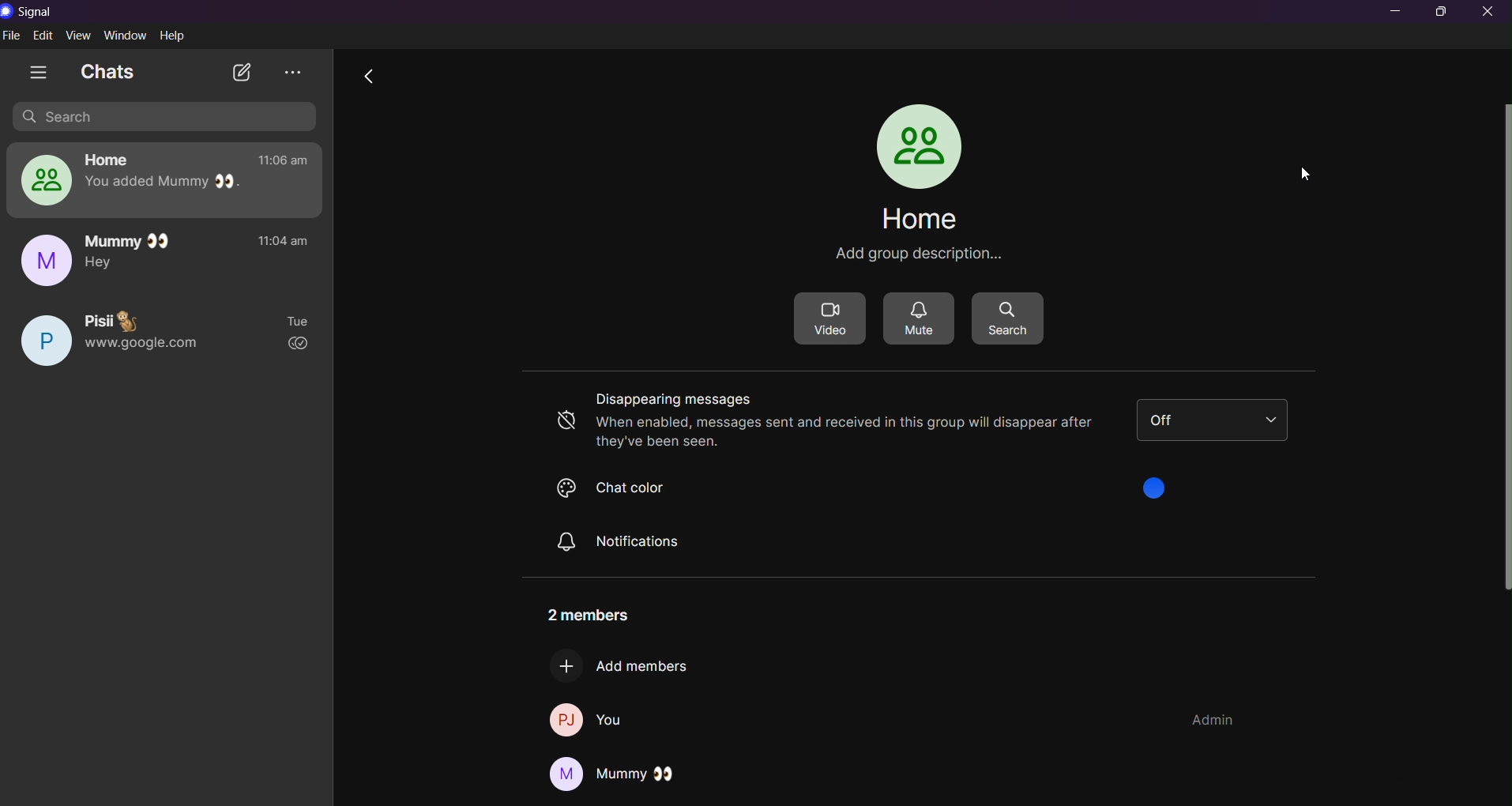  Describe the element at coordinates (623, 547) in the screenshot. I see `notifiactions` at that location.